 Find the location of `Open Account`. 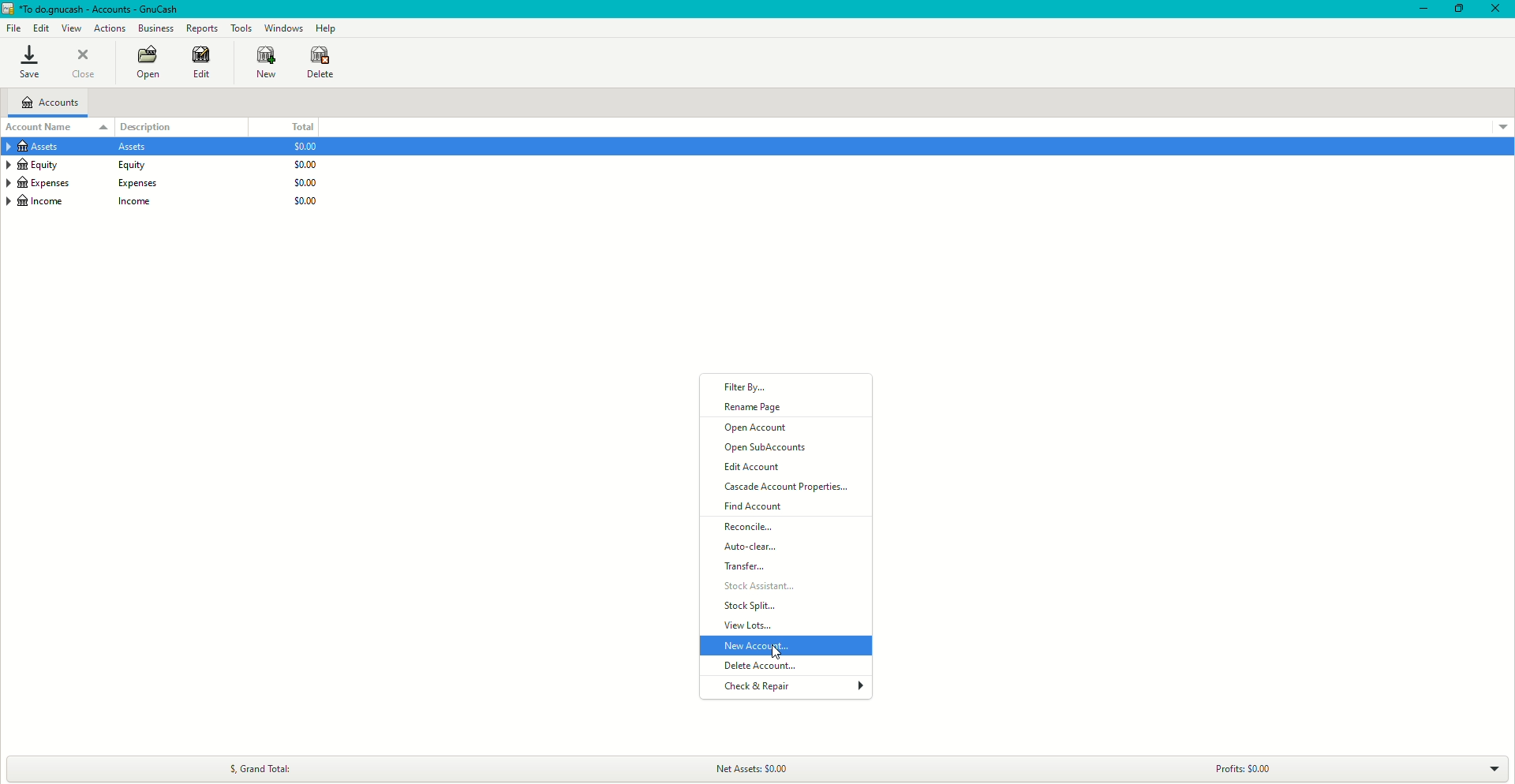

Open Account is located at coordinates (759, 429).